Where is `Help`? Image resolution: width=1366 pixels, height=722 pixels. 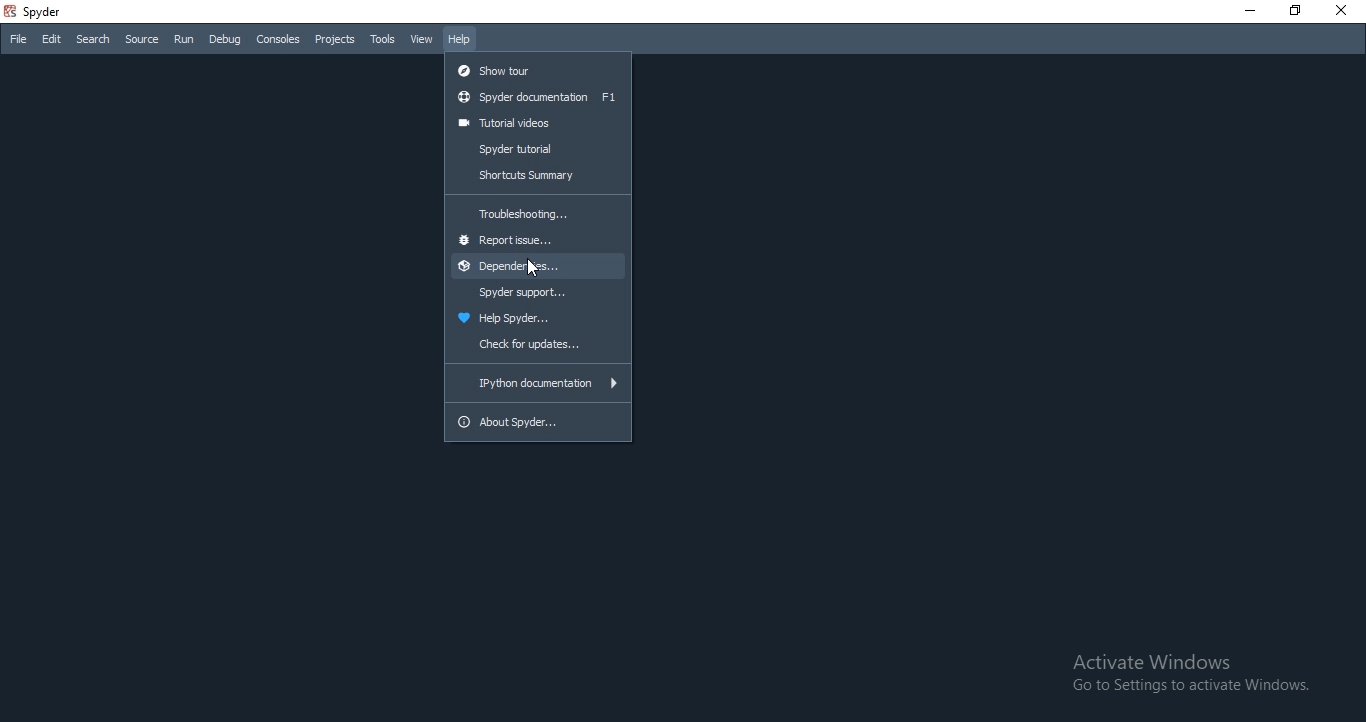
Help is located at coordinates (460, 40).